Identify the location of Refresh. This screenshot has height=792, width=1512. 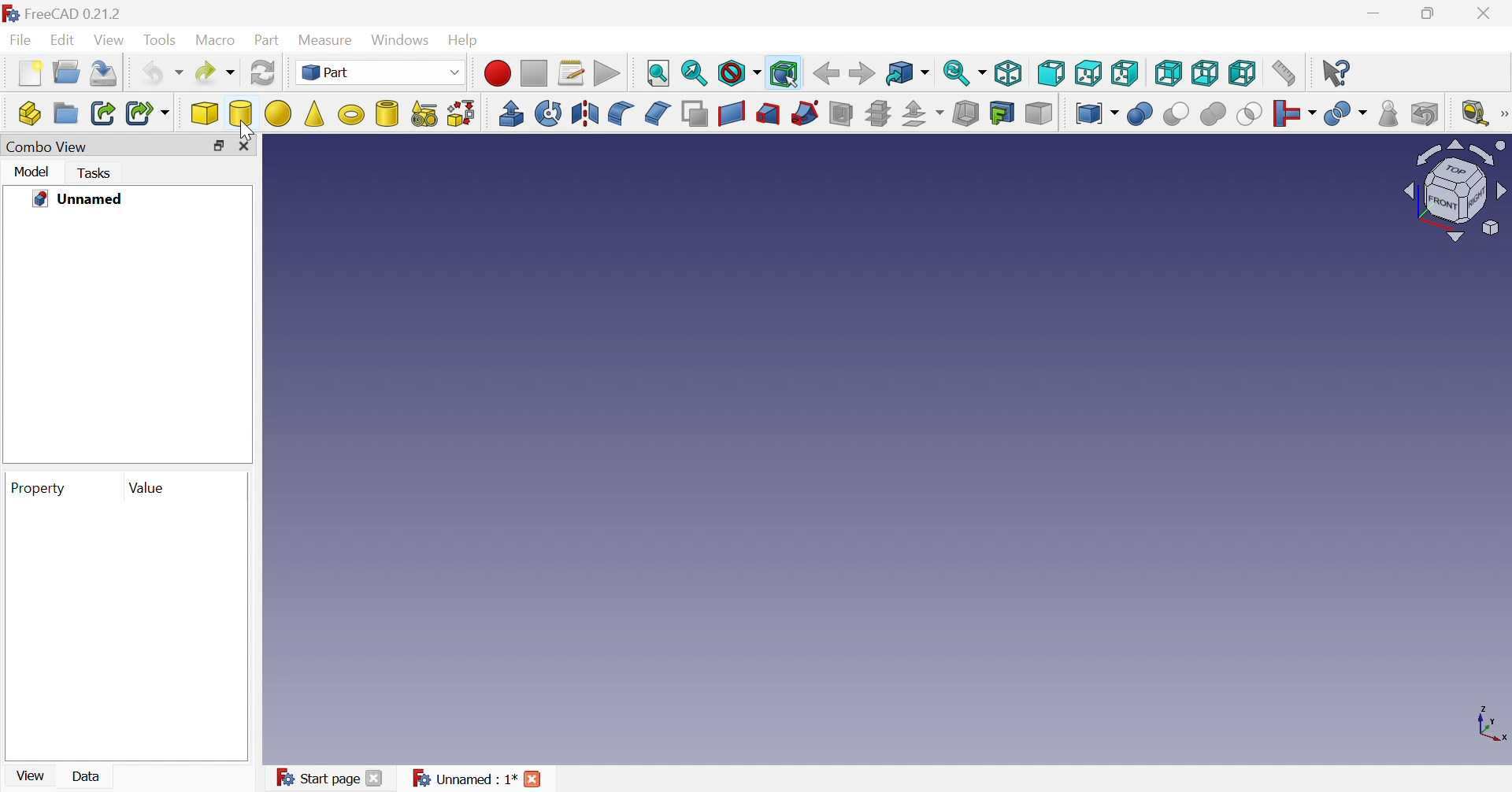
(263, 73).